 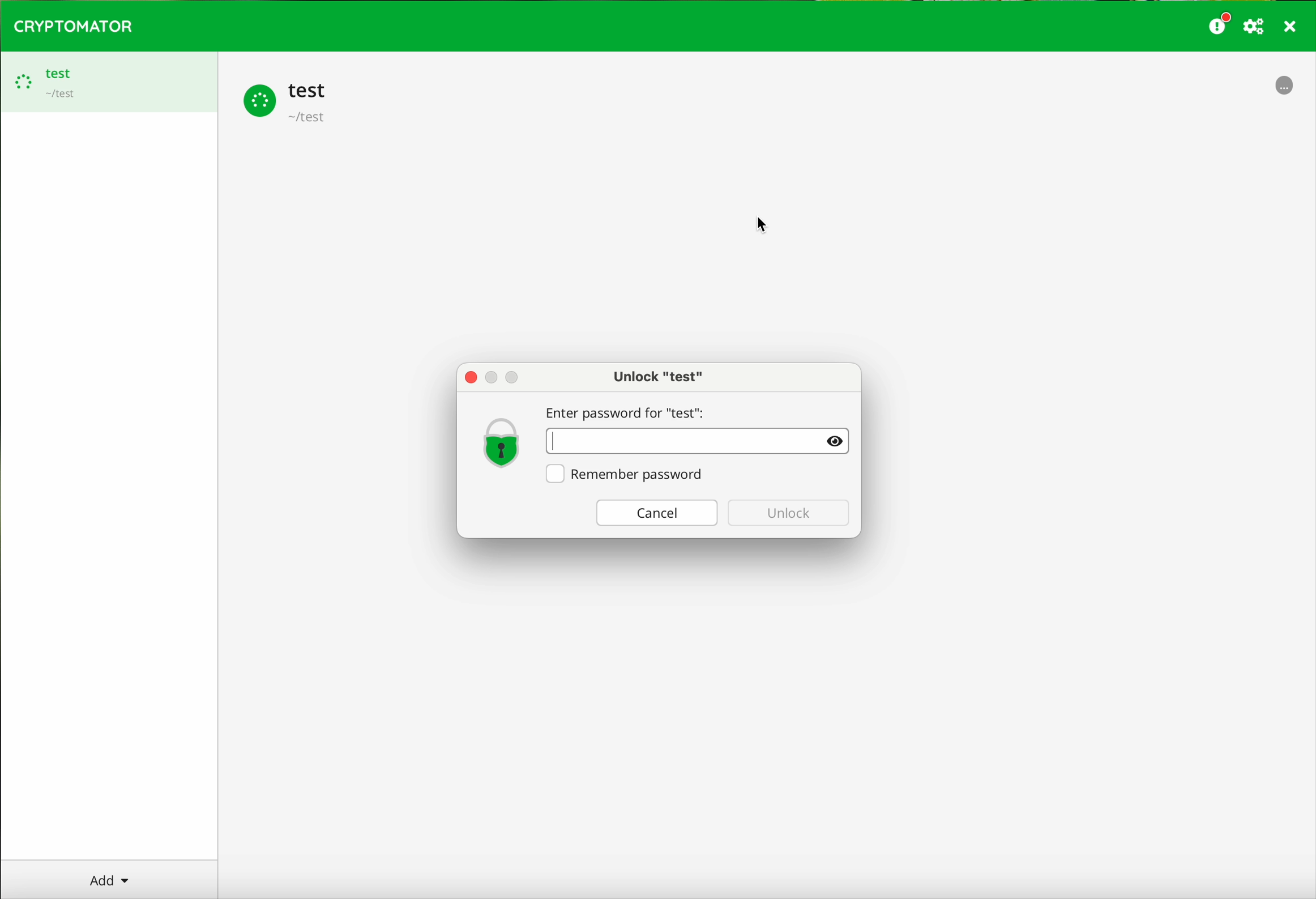 I want to click on CRYPTOMATOR, so click(x=73, y=24).